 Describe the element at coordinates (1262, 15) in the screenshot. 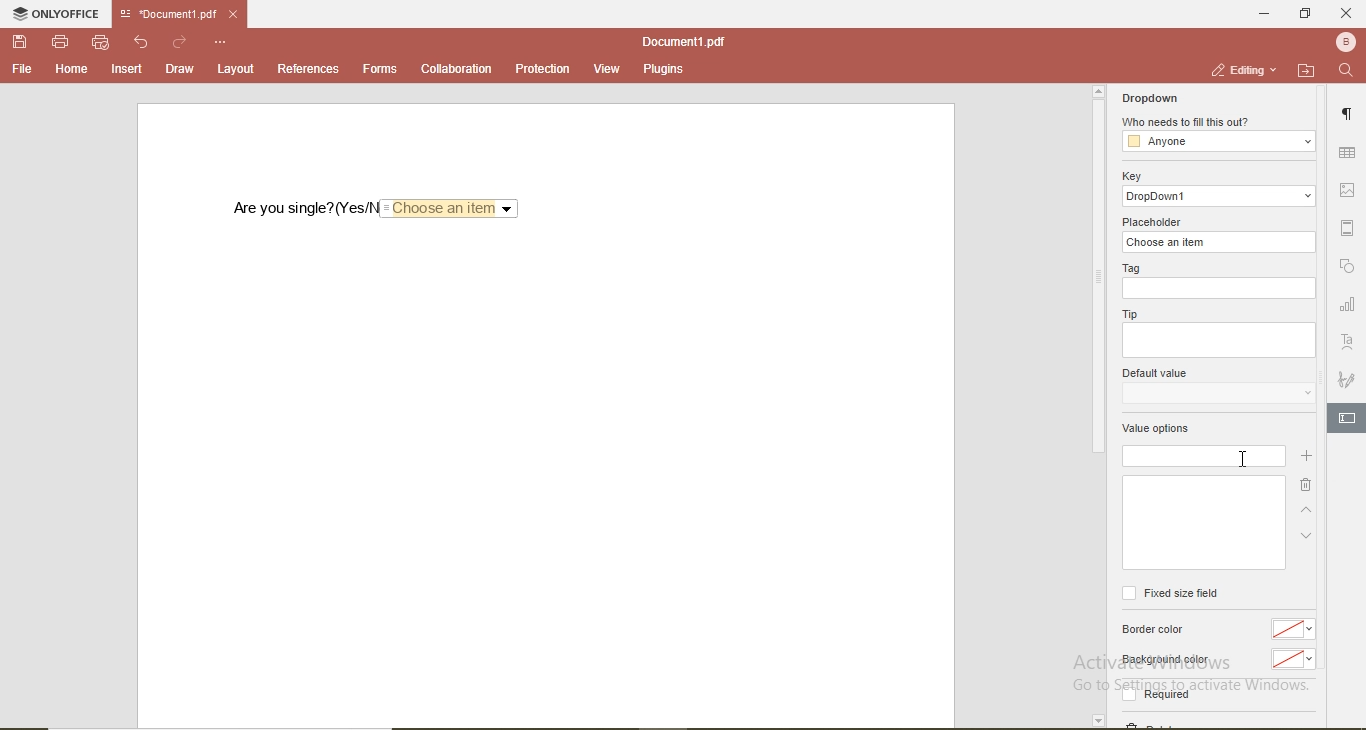

I see `minimise` at that location.